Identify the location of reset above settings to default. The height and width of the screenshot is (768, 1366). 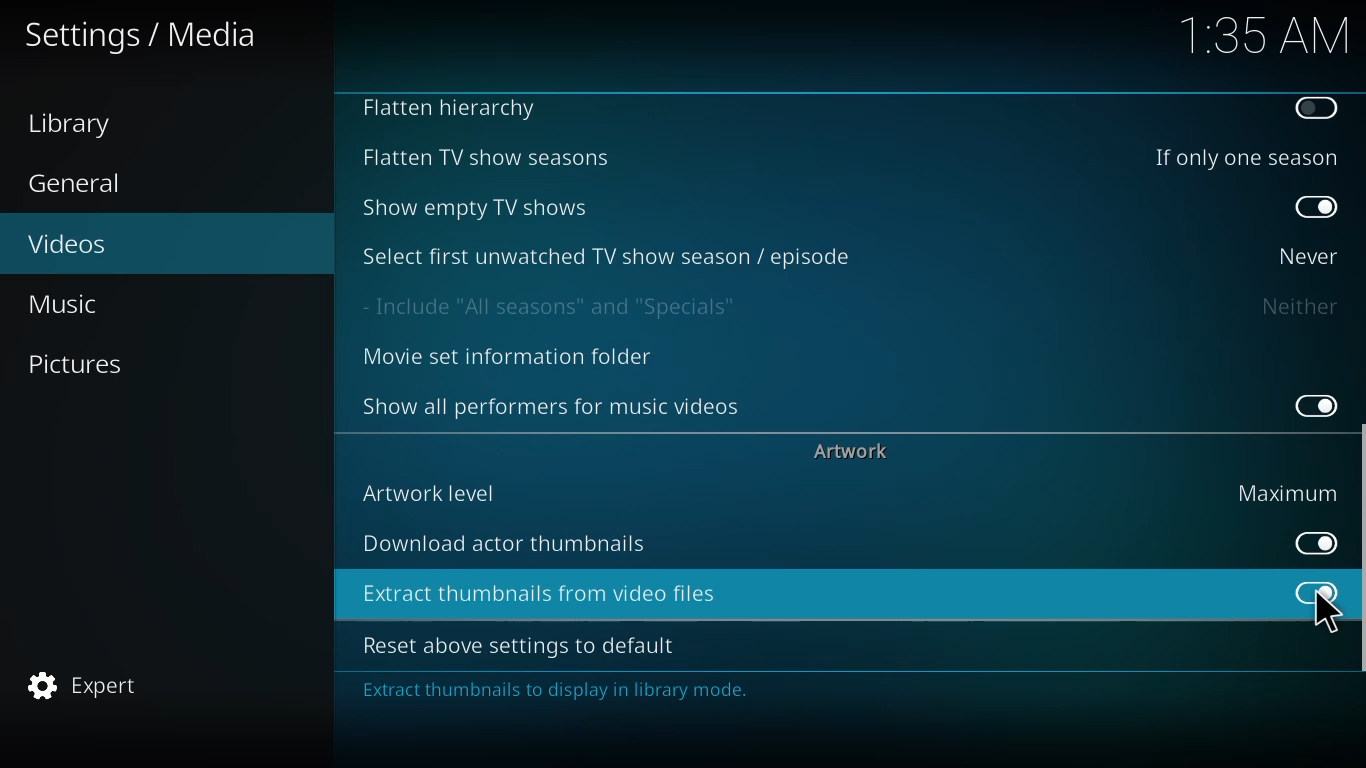
(524, 646).